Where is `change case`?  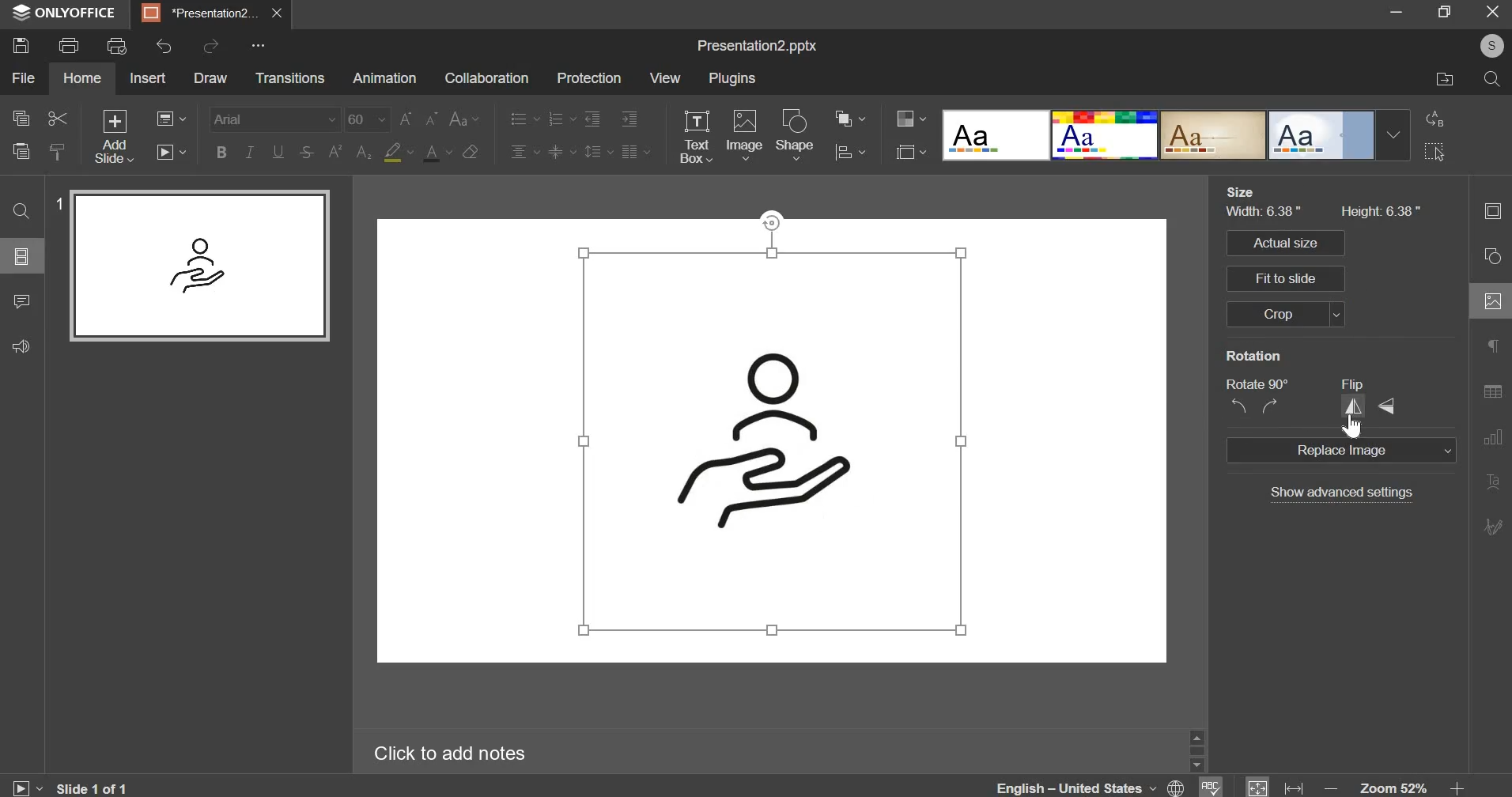
change case is located at coordinates (463, 119).